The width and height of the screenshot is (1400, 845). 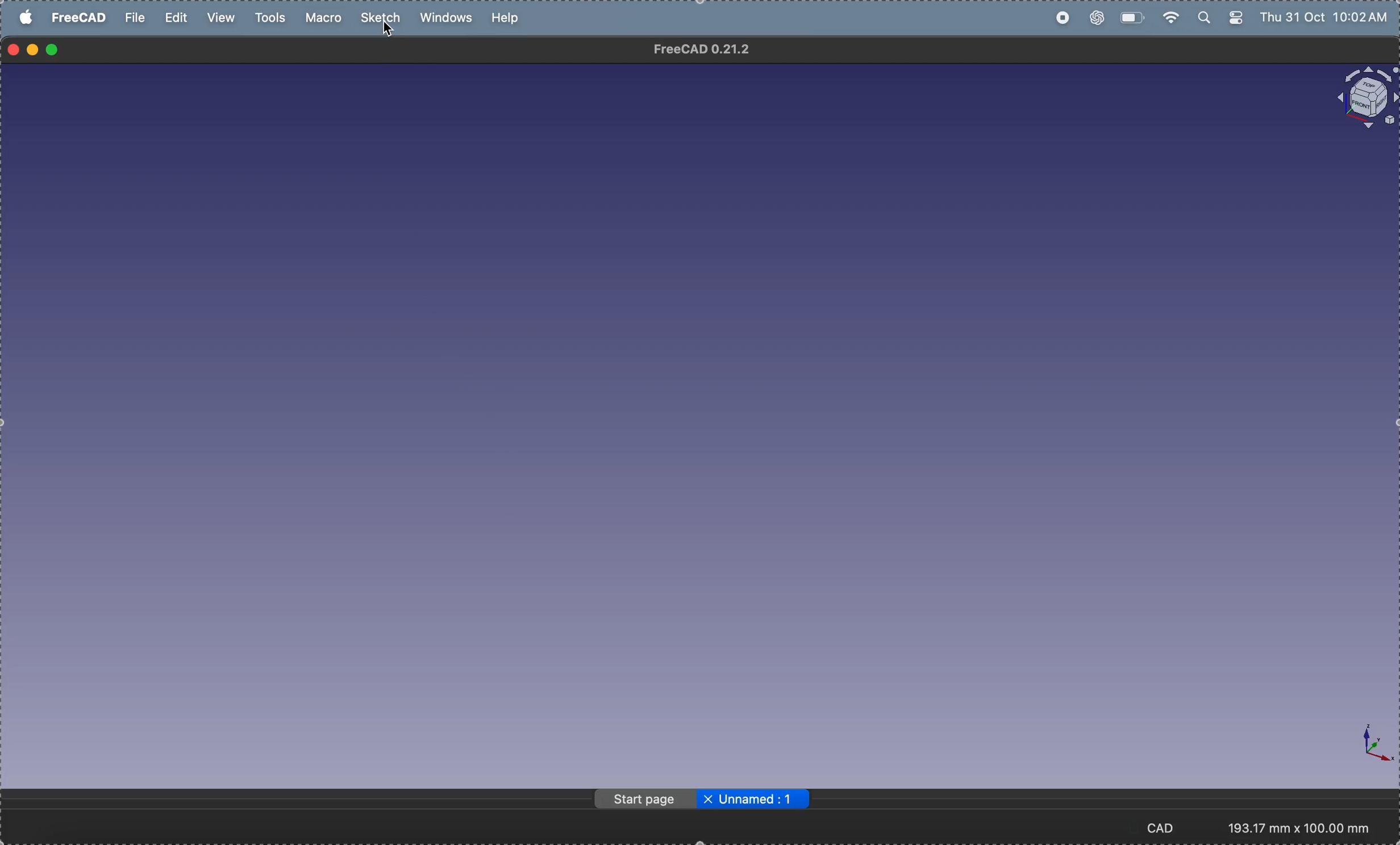 I want to click on Thu 31 Oct 10:02 AM, so click(x=1327, y=19).